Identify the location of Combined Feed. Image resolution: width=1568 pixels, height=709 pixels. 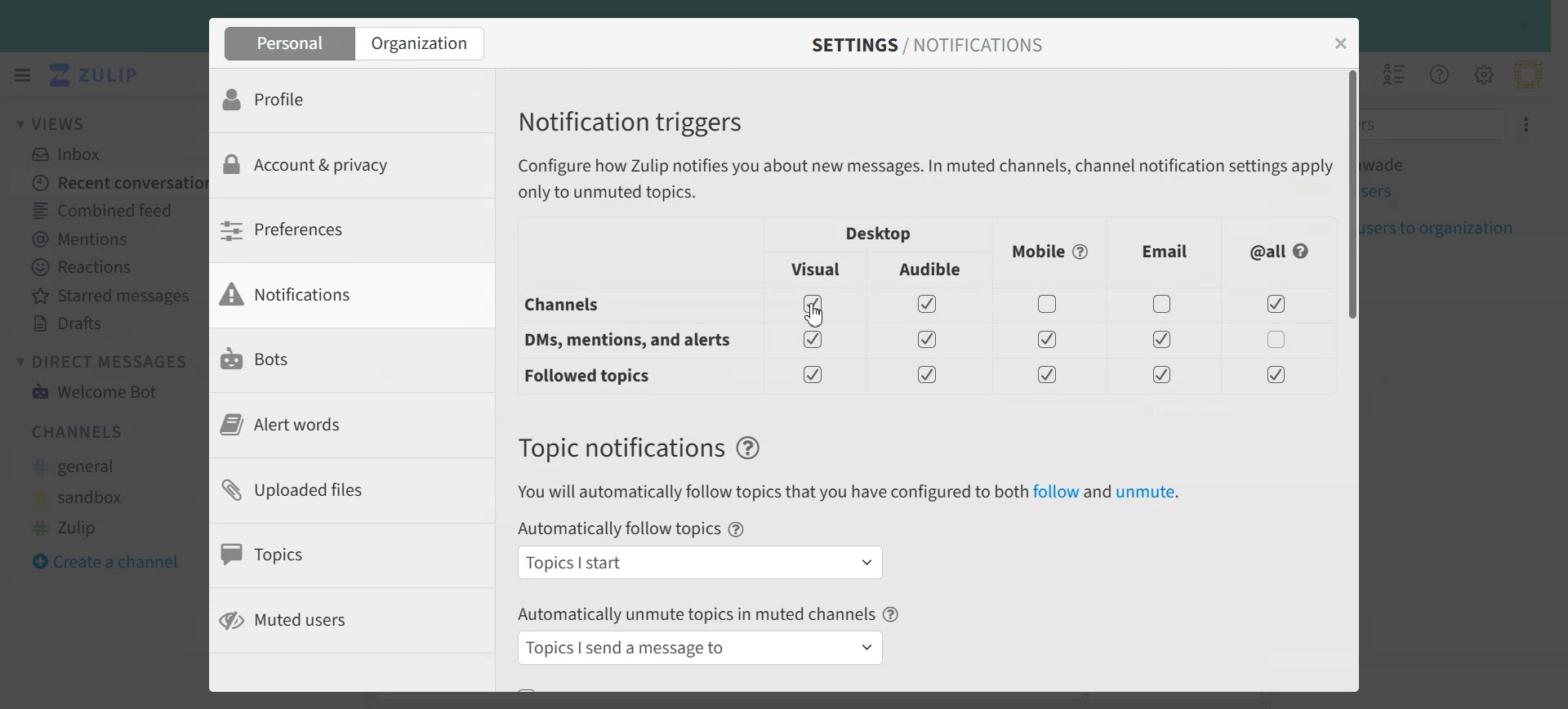
(107, 209).